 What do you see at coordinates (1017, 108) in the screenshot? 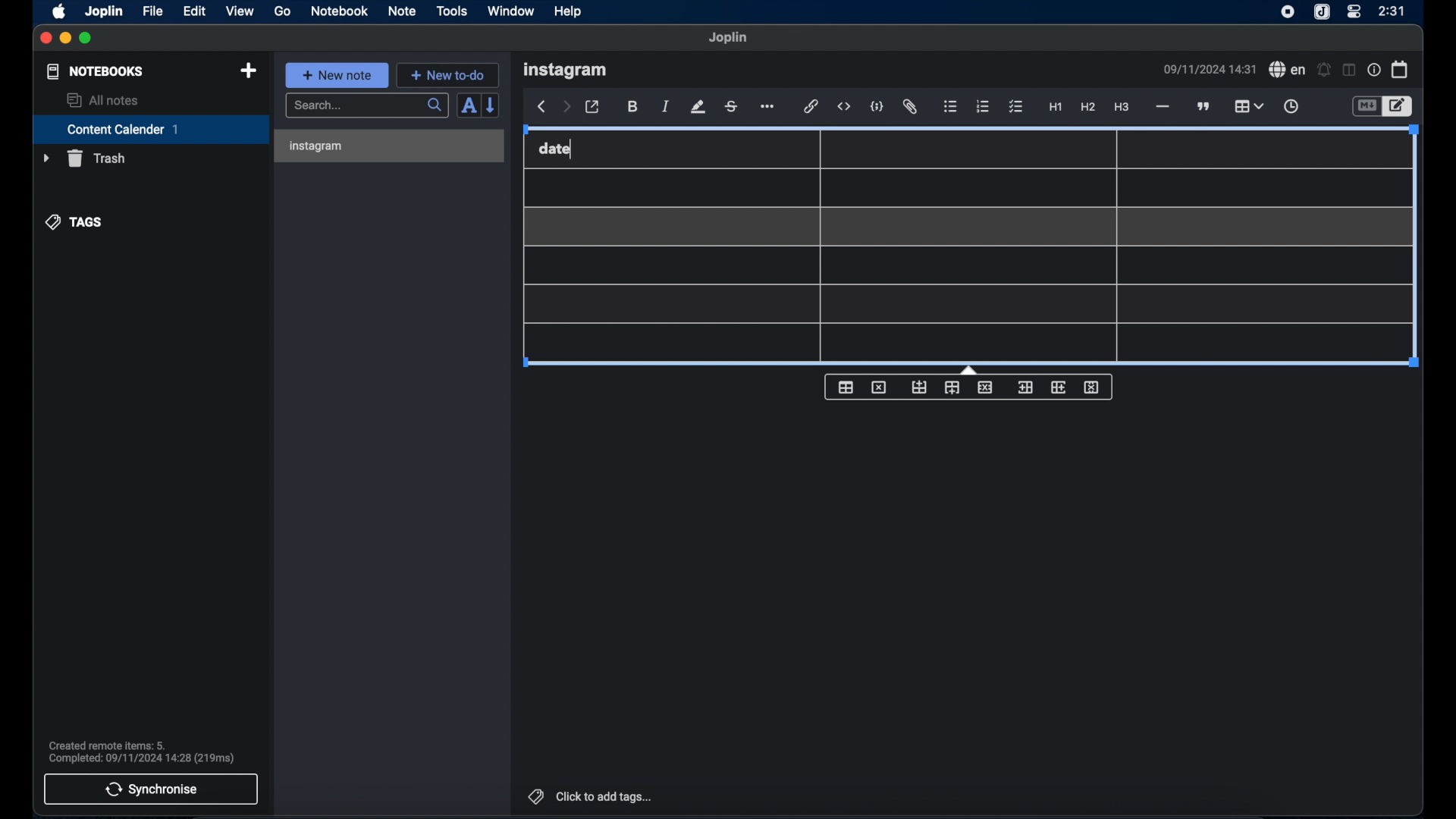
I see `checklist` at bounding box center [1017, 108].